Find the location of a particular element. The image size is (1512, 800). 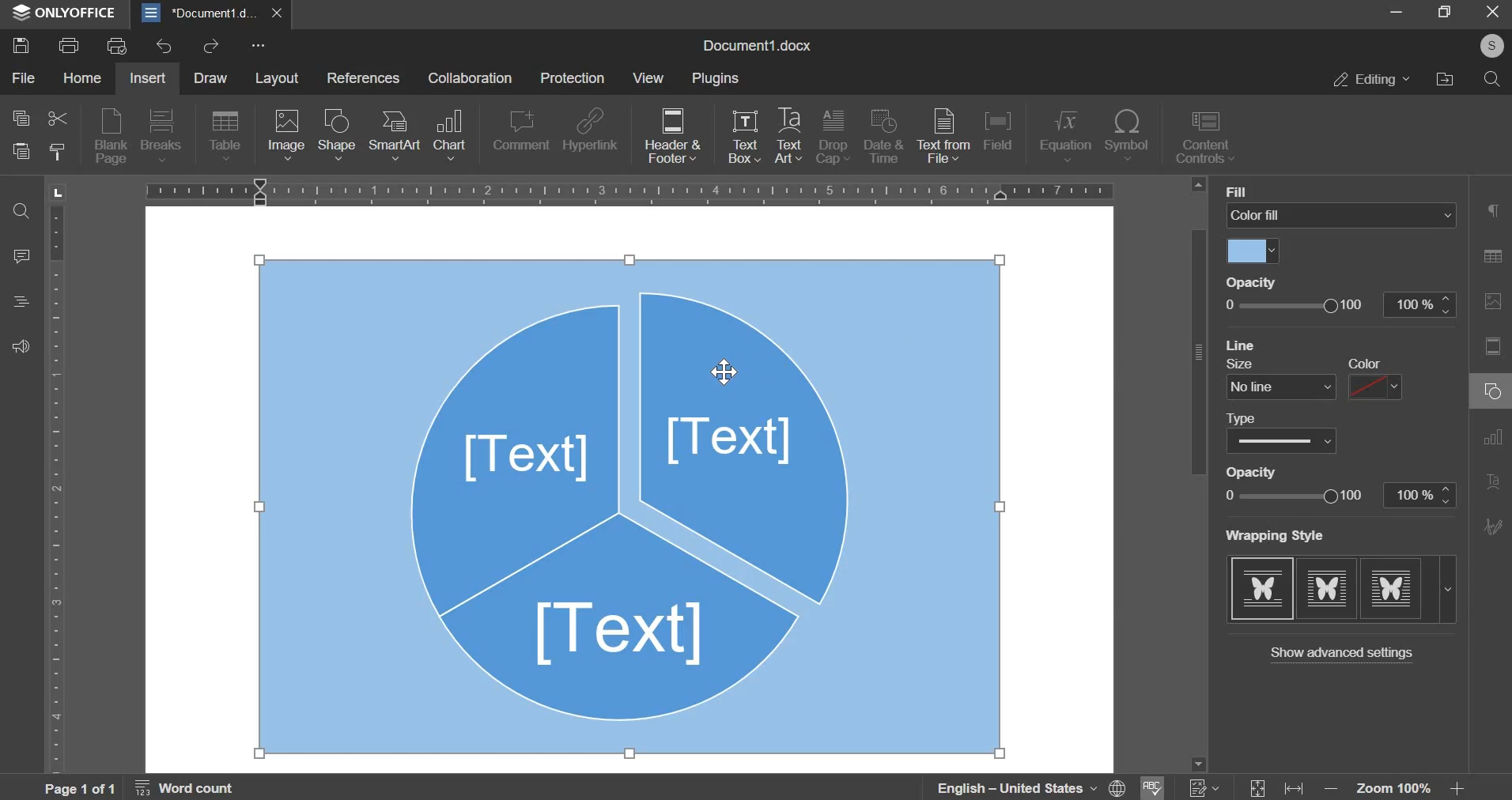

copy is located at coordinates (21, 121).